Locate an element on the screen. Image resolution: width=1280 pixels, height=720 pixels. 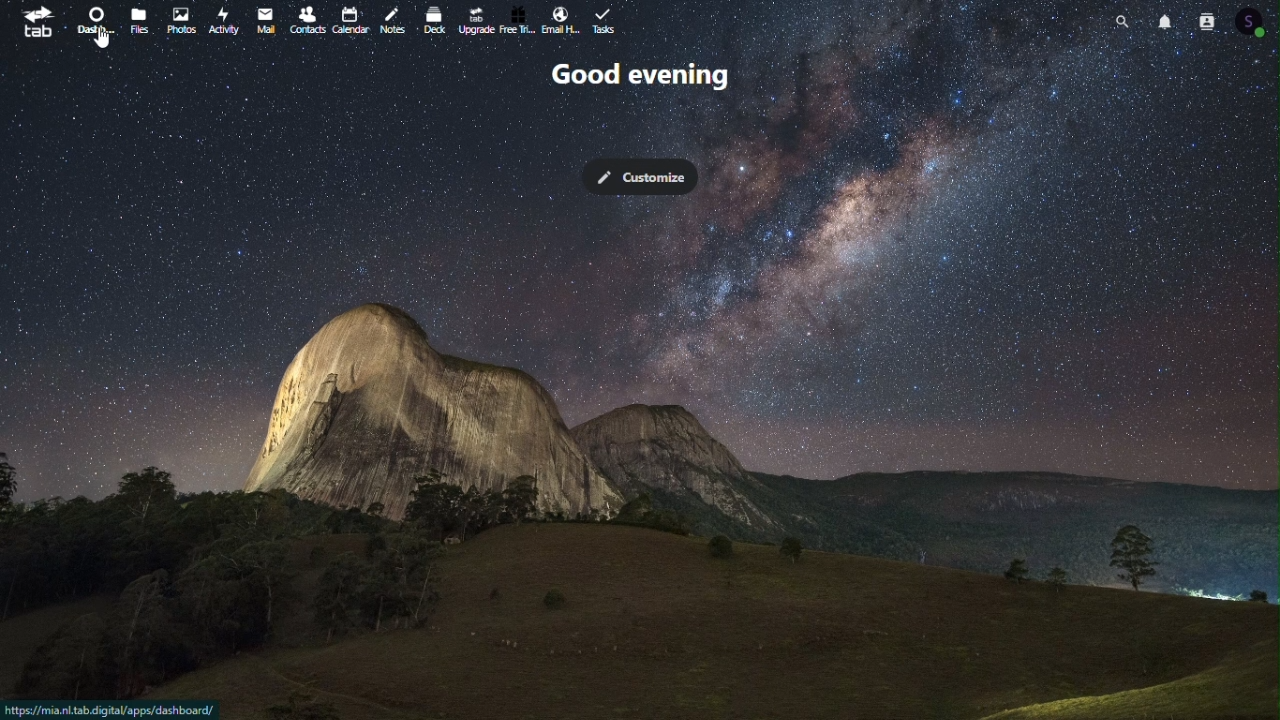
URL is located at coordinates (113, 708).